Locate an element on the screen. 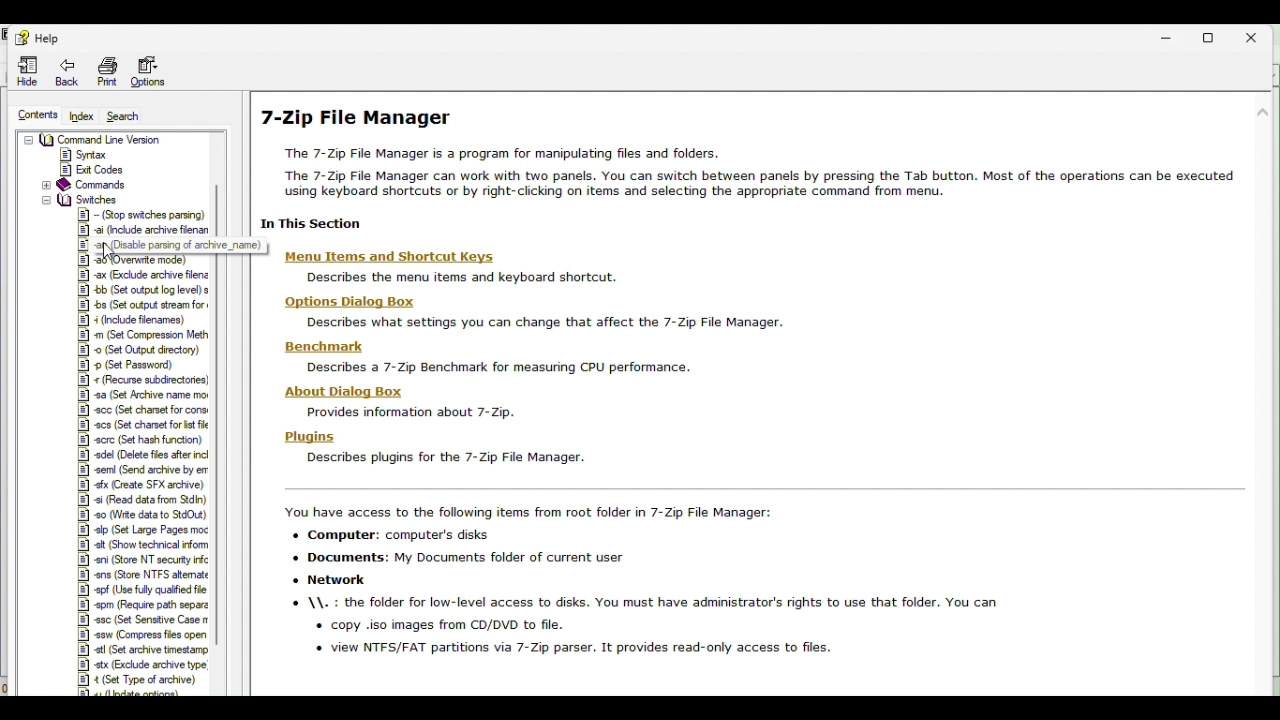 The height and width of the screenshot is (720, 1280). [#8] 2 (Show technical inform is located at coordinates (140, 544).